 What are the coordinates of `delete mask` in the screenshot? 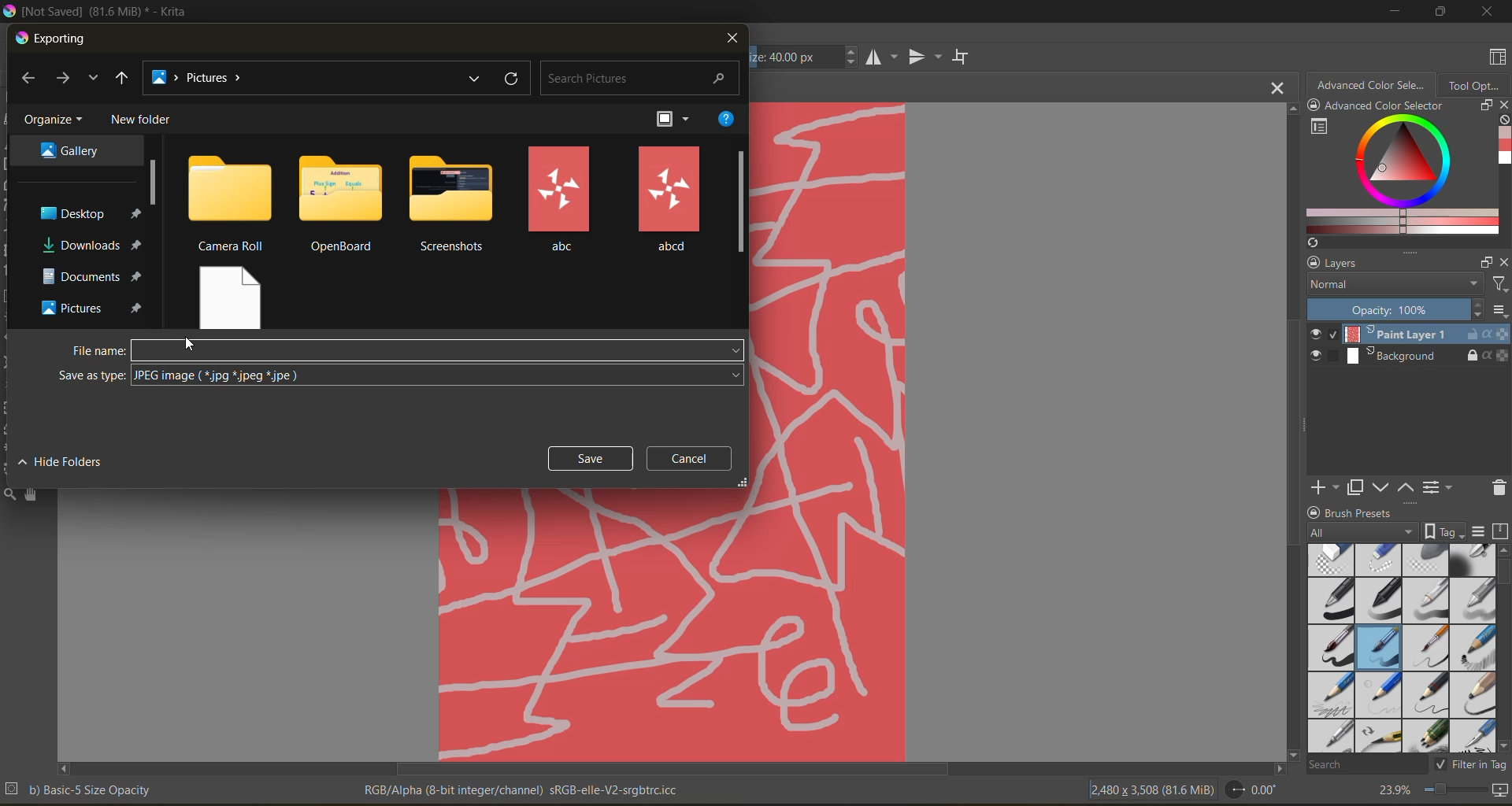 It's located at (1499, 490).